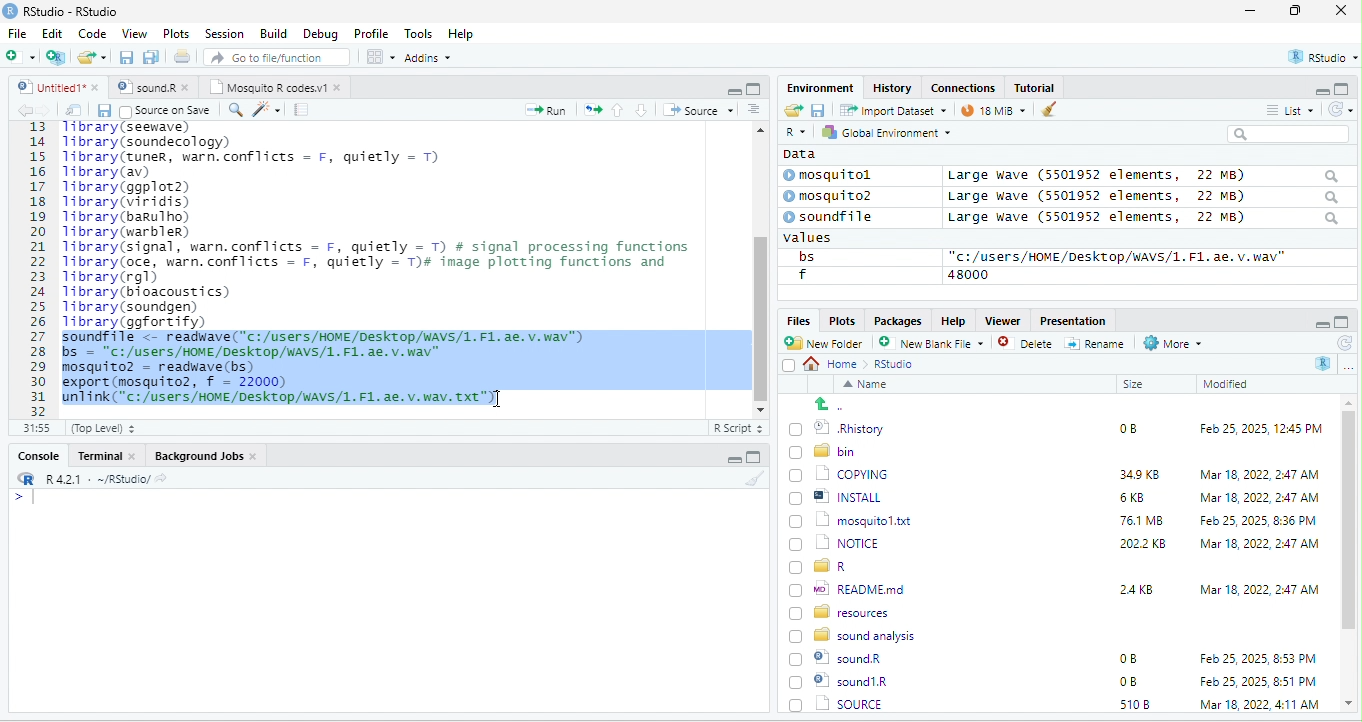  I want to click on search, so click(1288, 134).